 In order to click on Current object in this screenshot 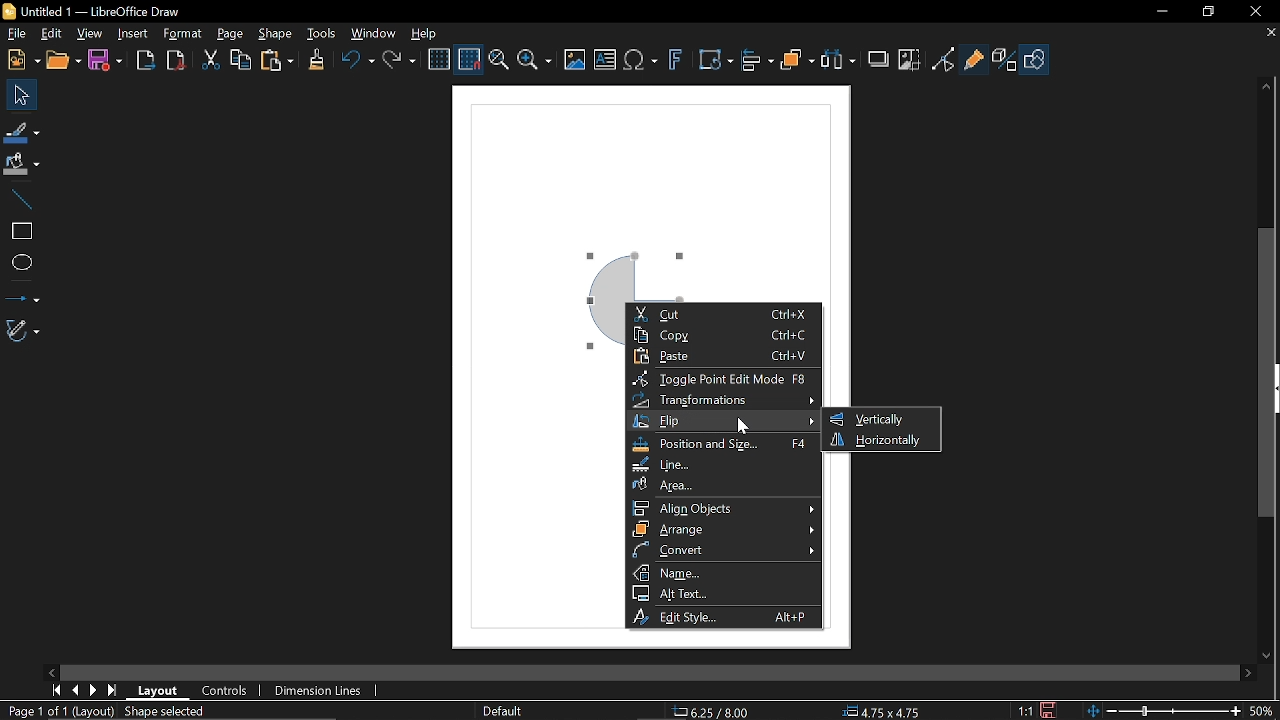, I will do `click(634, 271)`.